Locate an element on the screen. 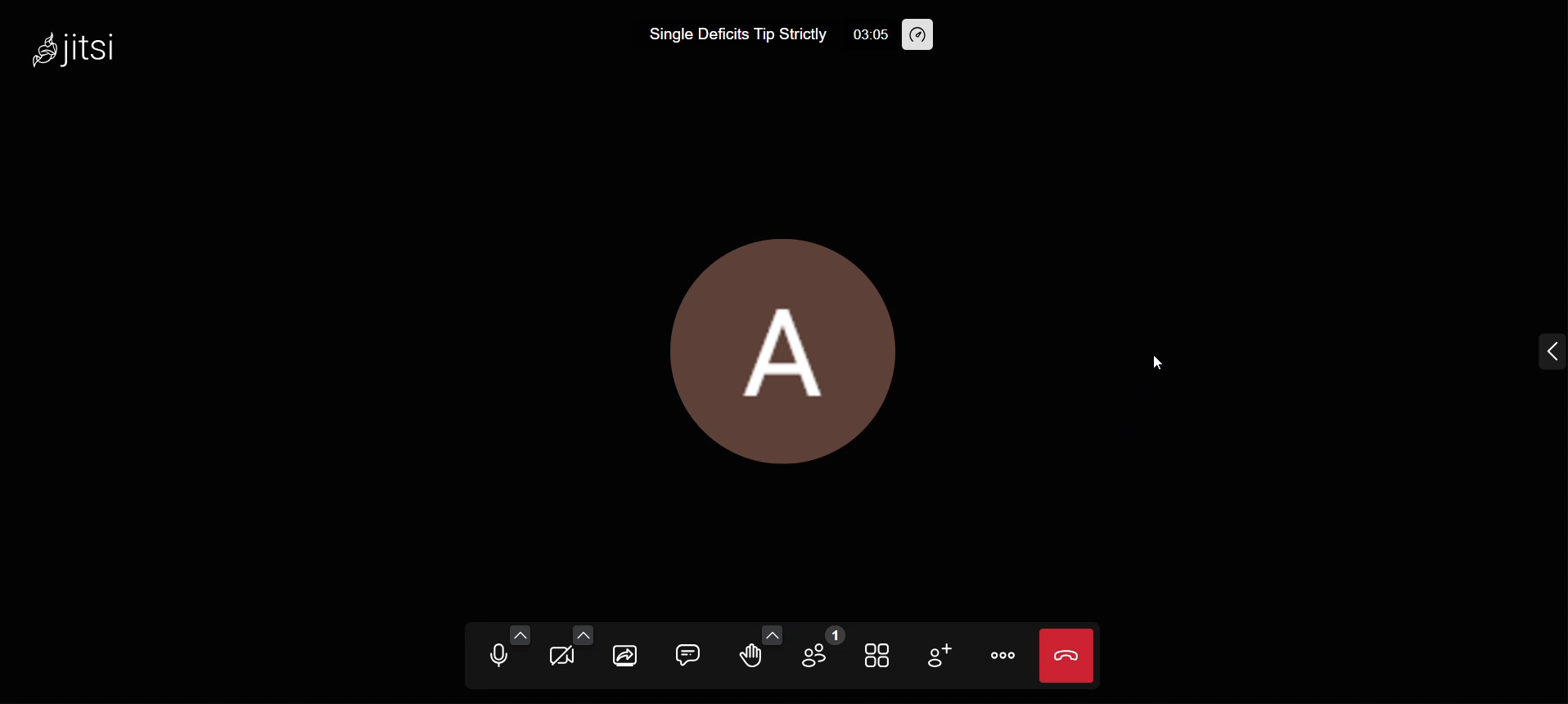 The image size is (1568, 704). toggle tile view is located at coordinates (881, 657).